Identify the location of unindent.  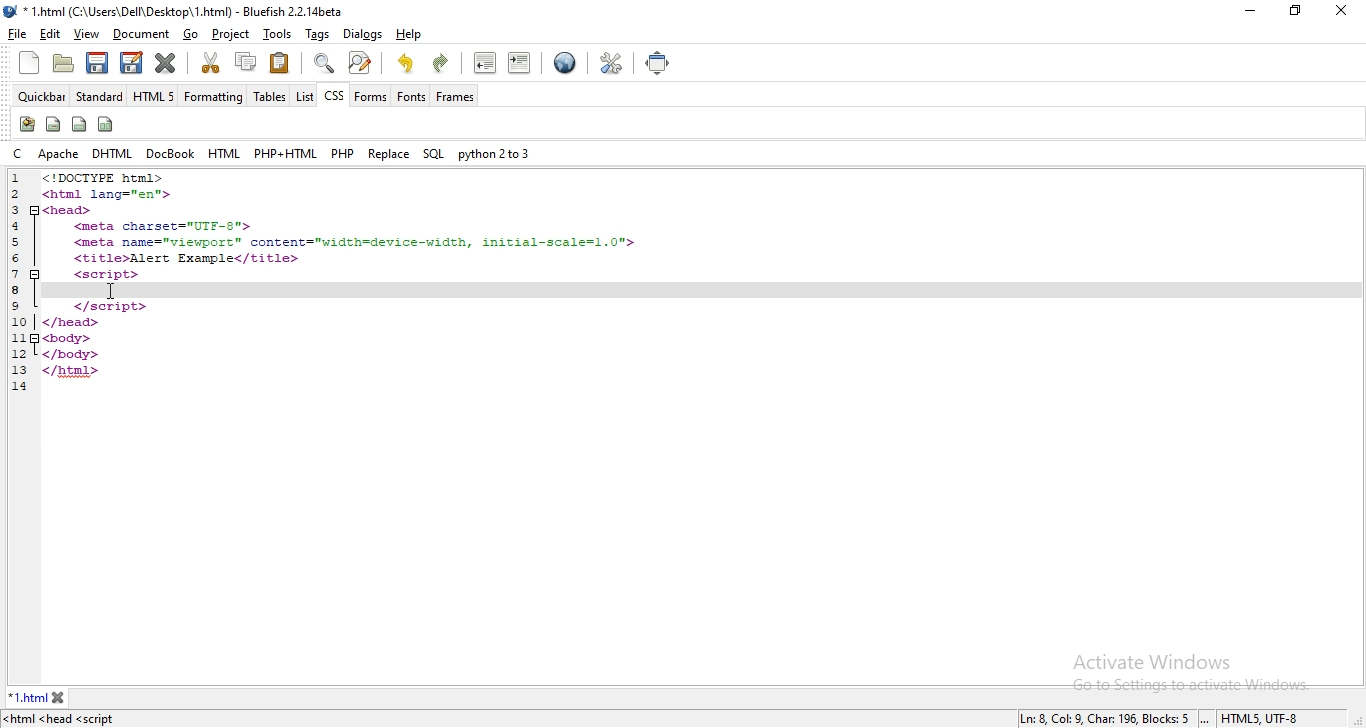
(485, 62).